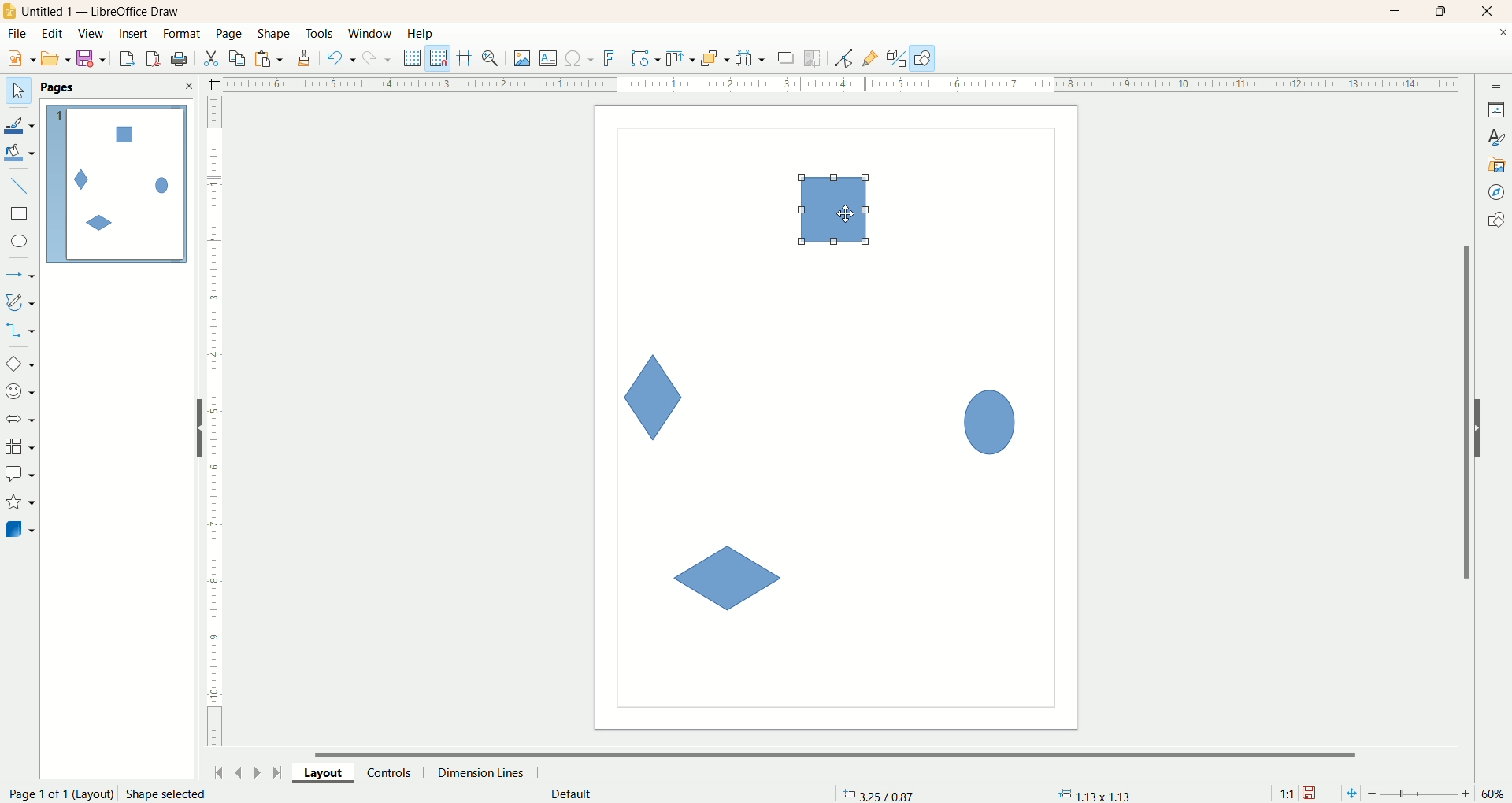 This screenshot has width=1512, height=803. What do you see at coordinates (1396, 11) in the screenshot?
I see `minimize` at bounding box center [1396, 11].